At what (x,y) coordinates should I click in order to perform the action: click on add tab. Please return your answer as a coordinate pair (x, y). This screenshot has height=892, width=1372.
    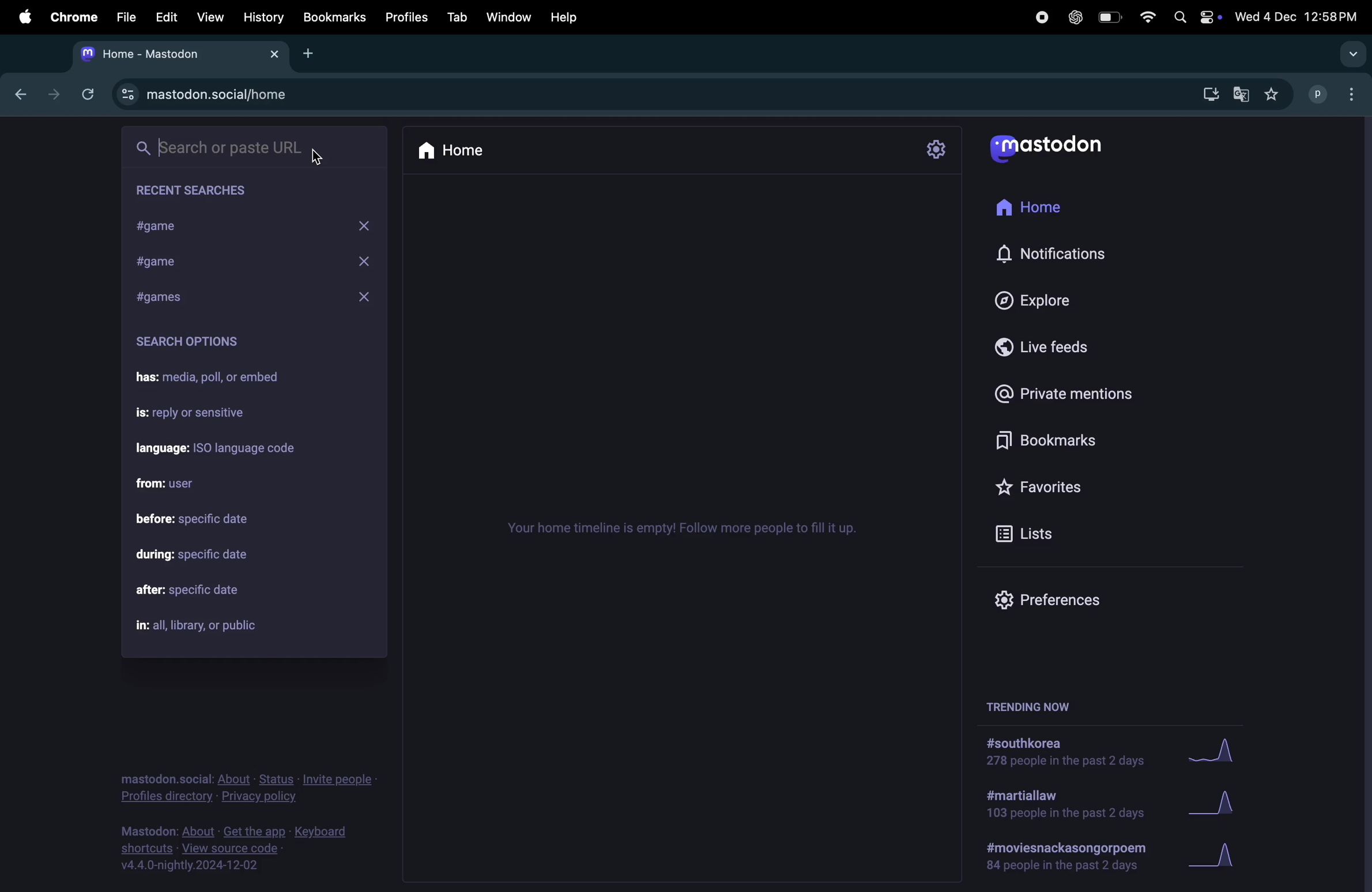
    Looking at the image, I should click on (313, 54).